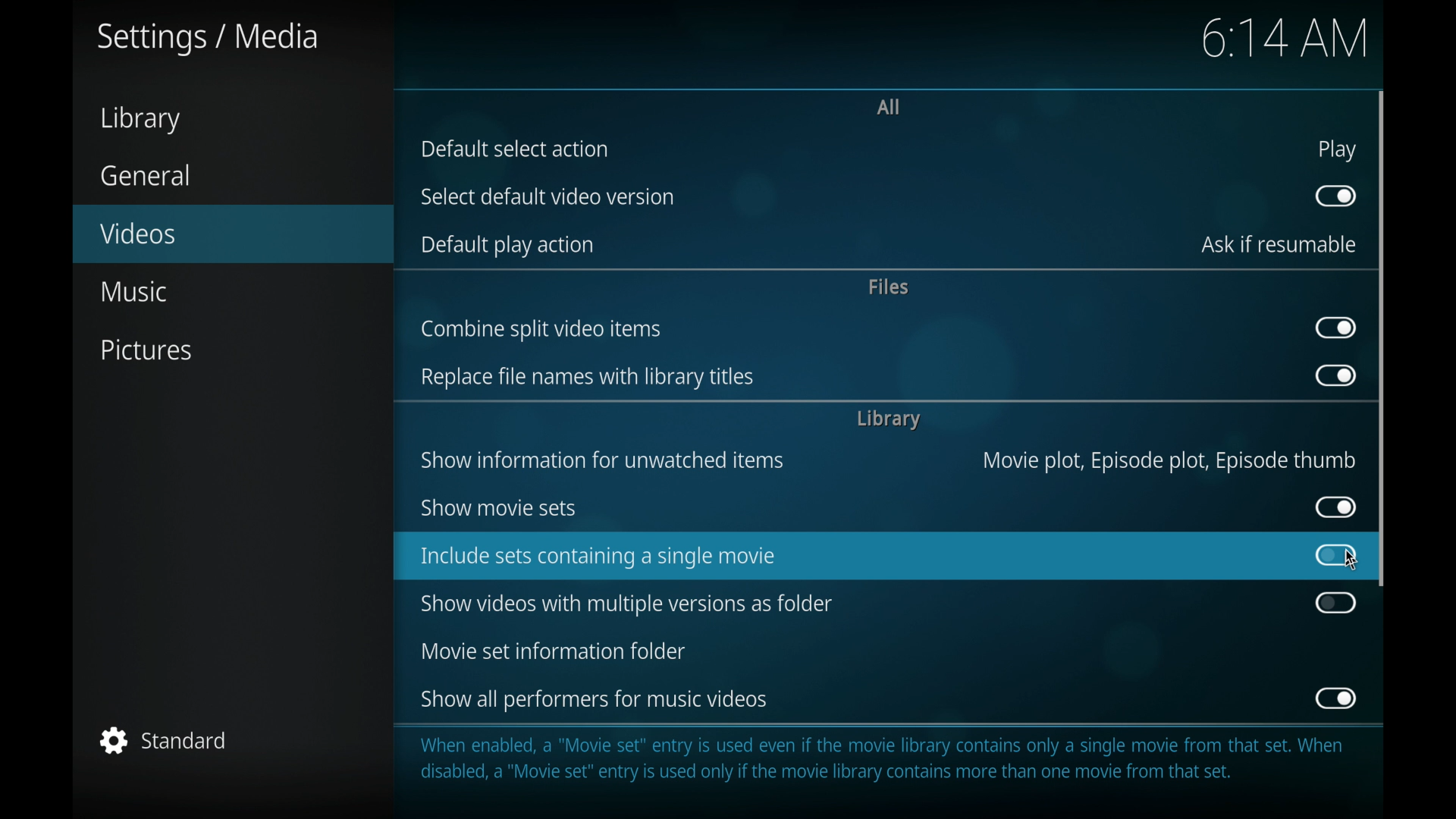 The image size is (1456, 819). Describe the element at coordinates (1351, 559) in the screenshot. I see `cursor` at that location.